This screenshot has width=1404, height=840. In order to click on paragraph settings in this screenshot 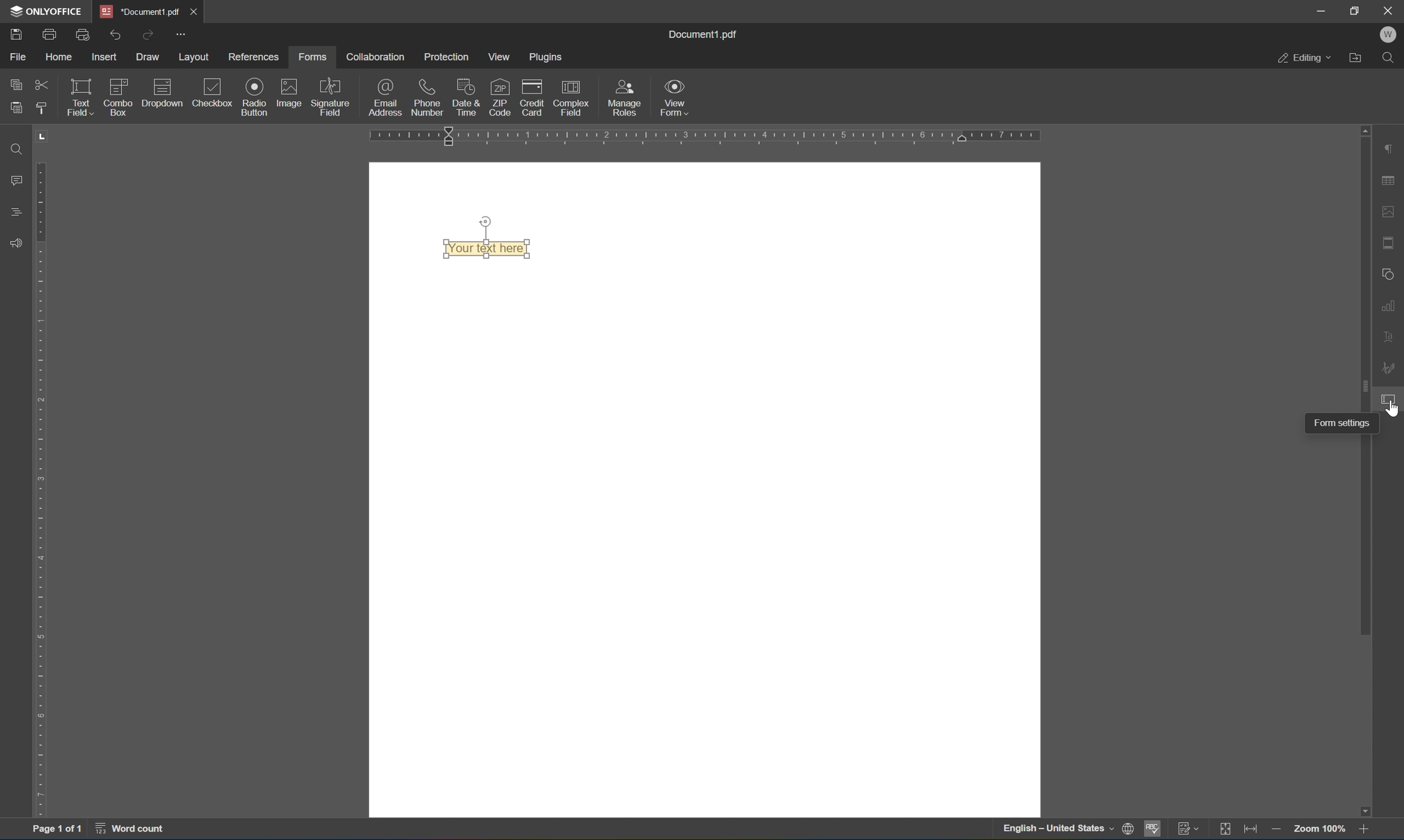, I will do `click(1389, 148)`.